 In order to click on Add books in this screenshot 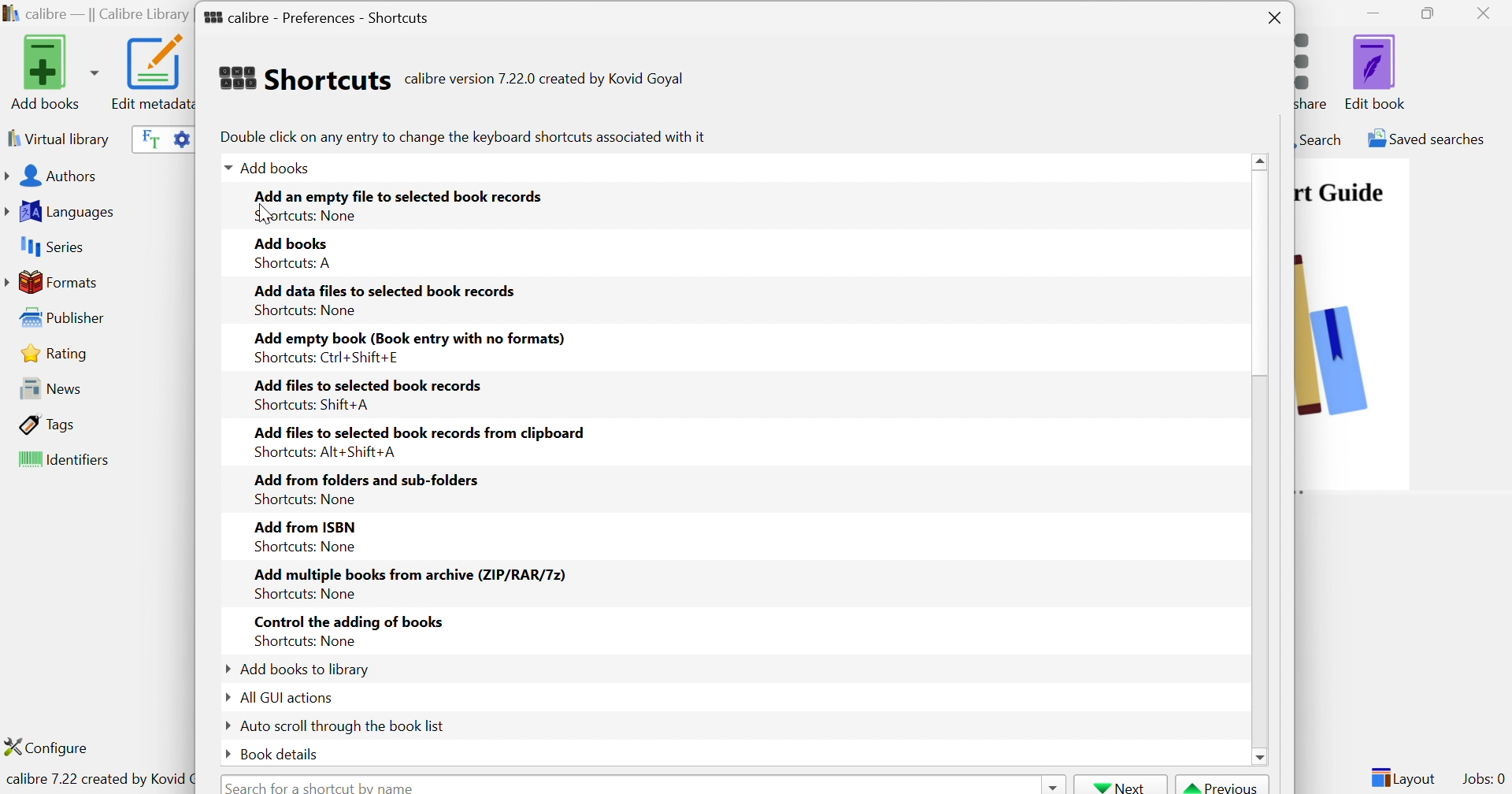, I will do `click(279, 166)`.